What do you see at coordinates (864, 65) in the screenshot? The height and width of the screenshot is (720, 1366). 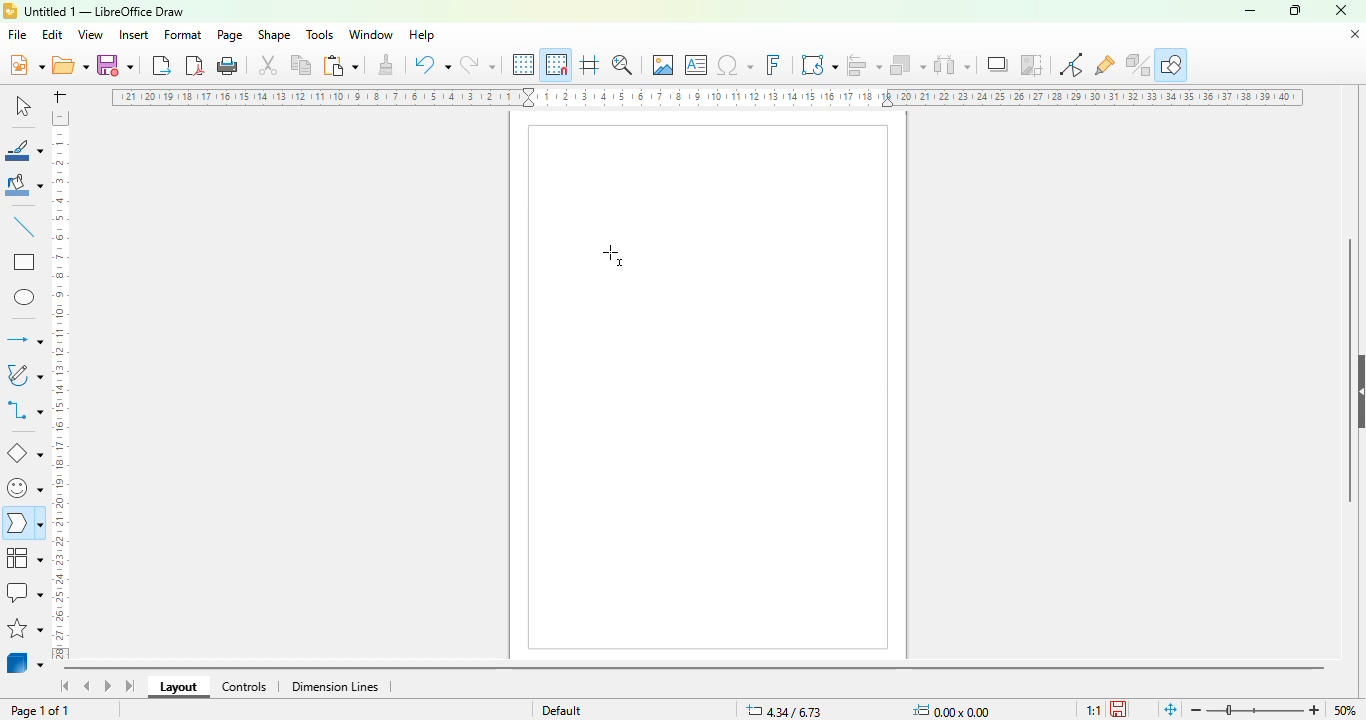 I see `align objects` at bounding box center [864, 65].